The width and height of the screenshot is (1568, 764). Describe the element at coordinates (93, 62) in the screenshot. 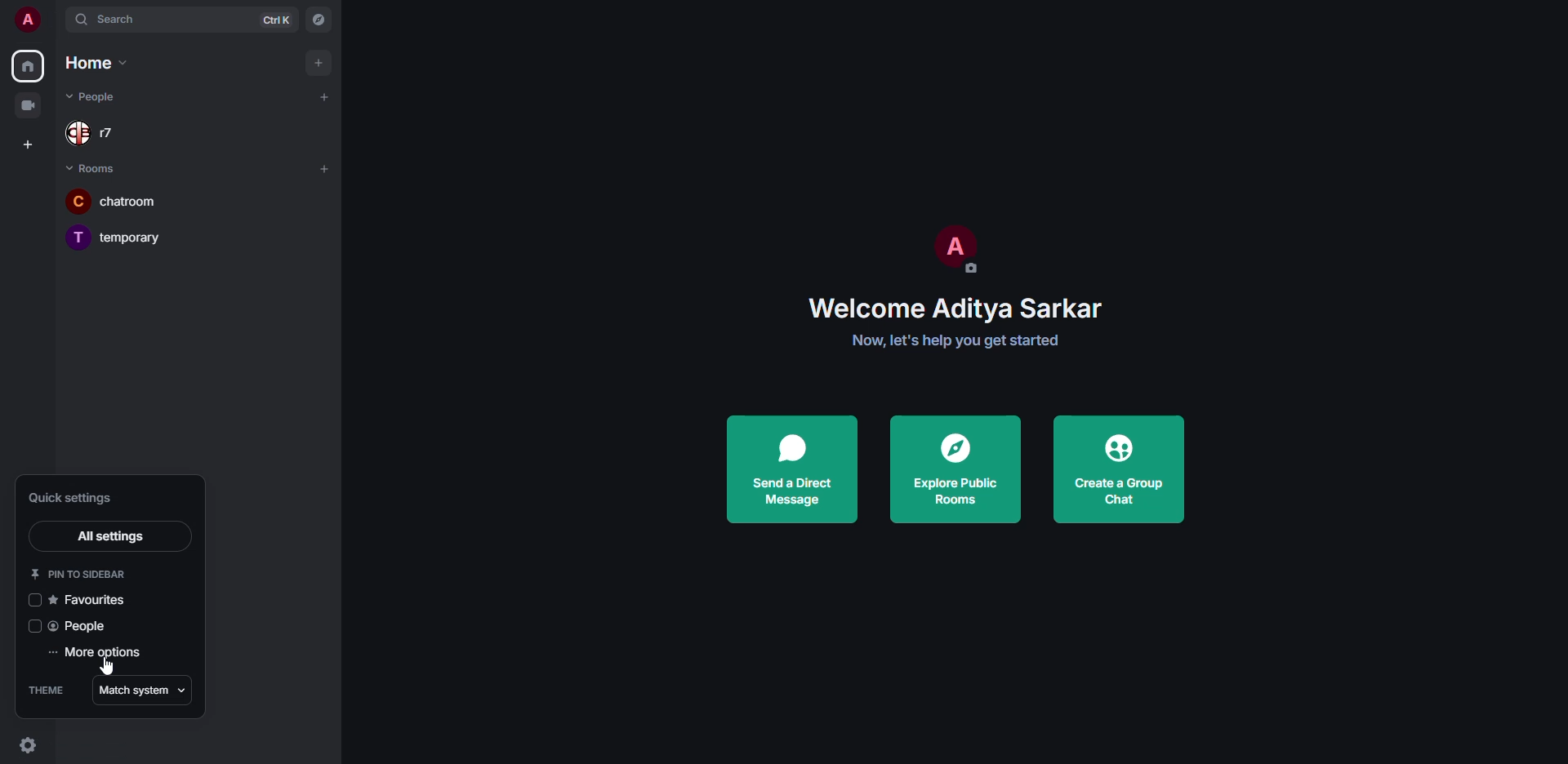

I see `home` at that location.